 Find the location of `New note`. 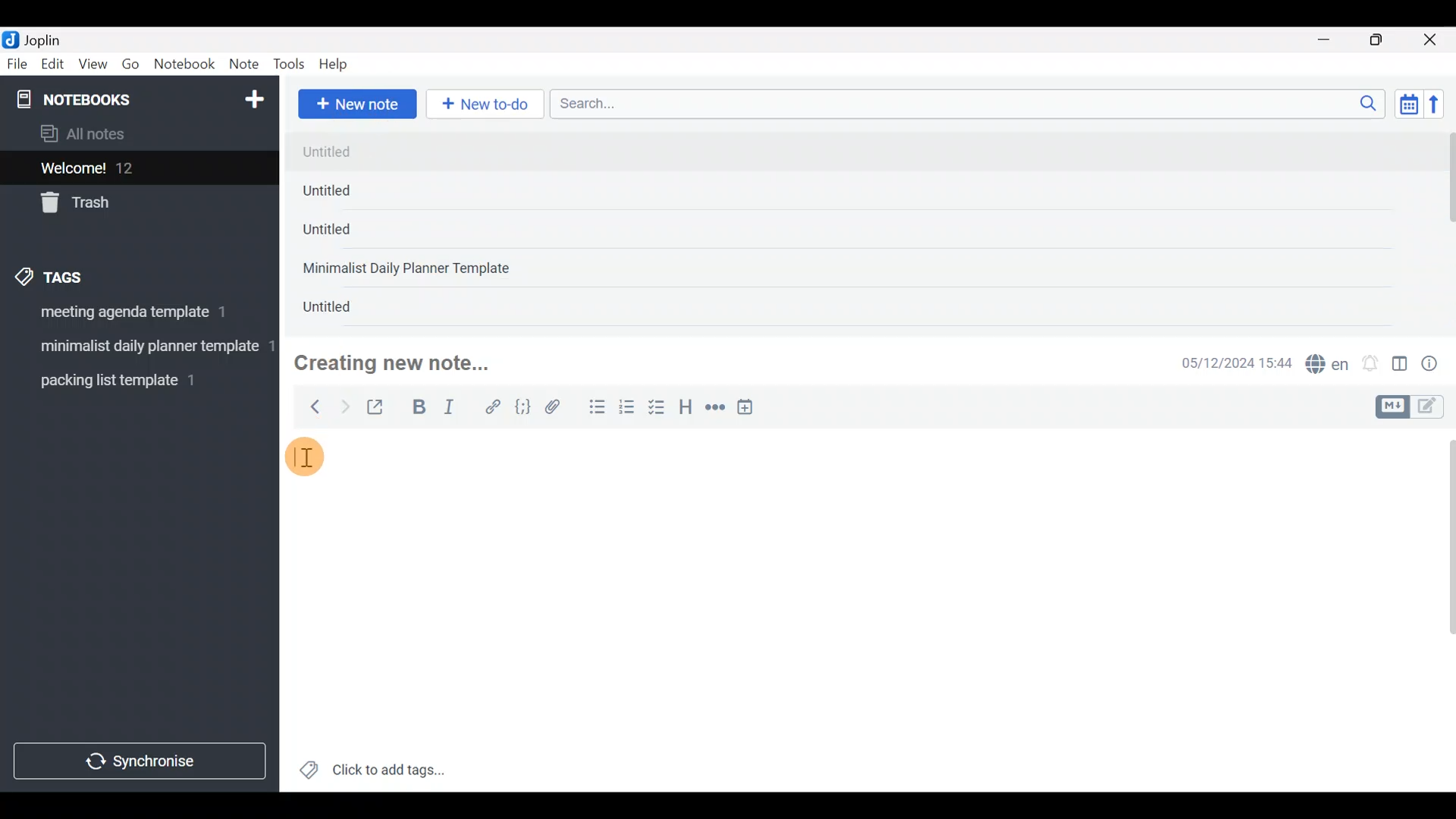

New note is located at coordinates (356, 102).